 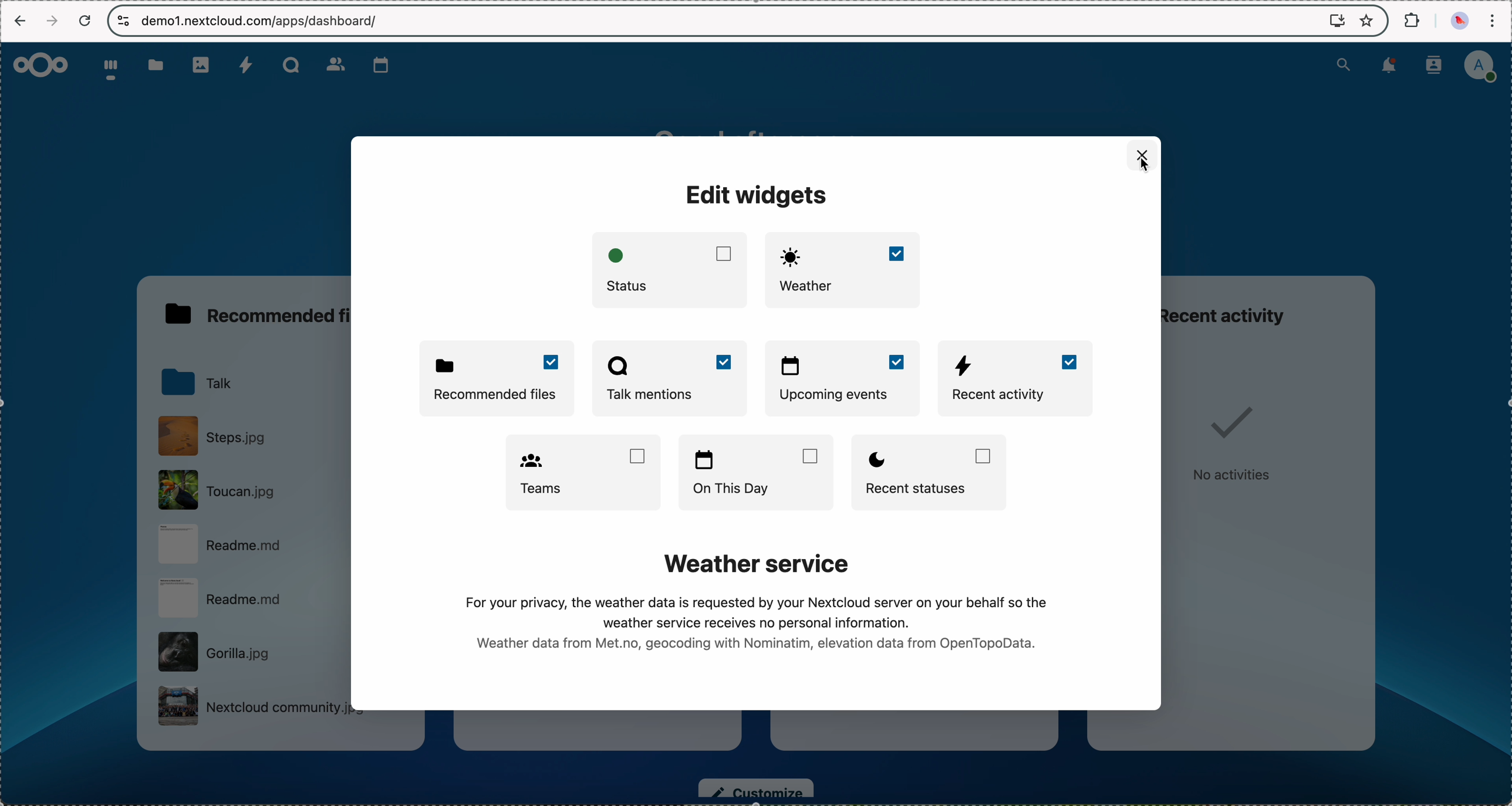 What do you see at coordinates (335, 65) in the screenshot?
I see `contacts` at bounding box center [335, 65].